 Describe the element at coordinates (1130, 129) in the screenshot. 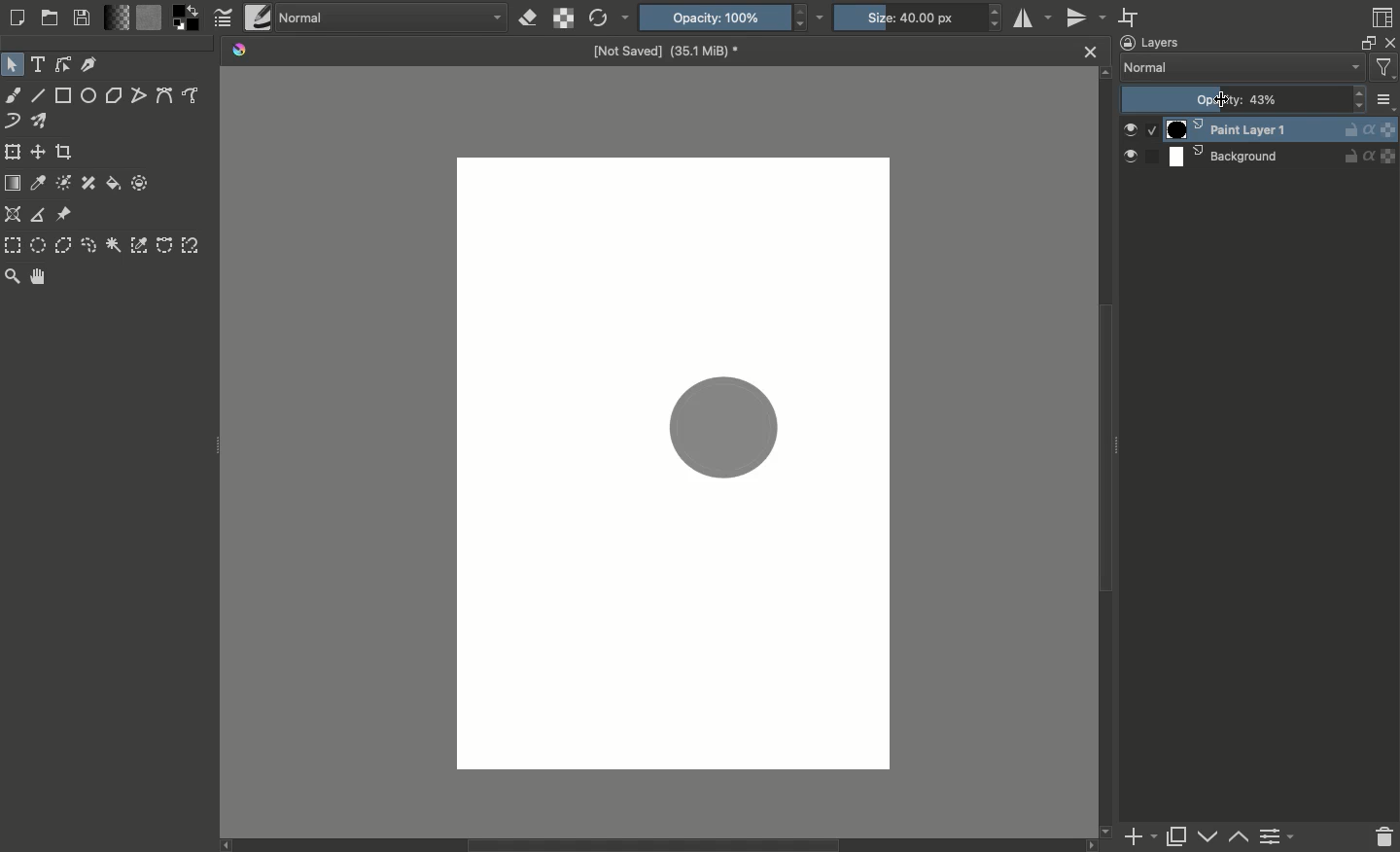

I see `Visible` at that location.